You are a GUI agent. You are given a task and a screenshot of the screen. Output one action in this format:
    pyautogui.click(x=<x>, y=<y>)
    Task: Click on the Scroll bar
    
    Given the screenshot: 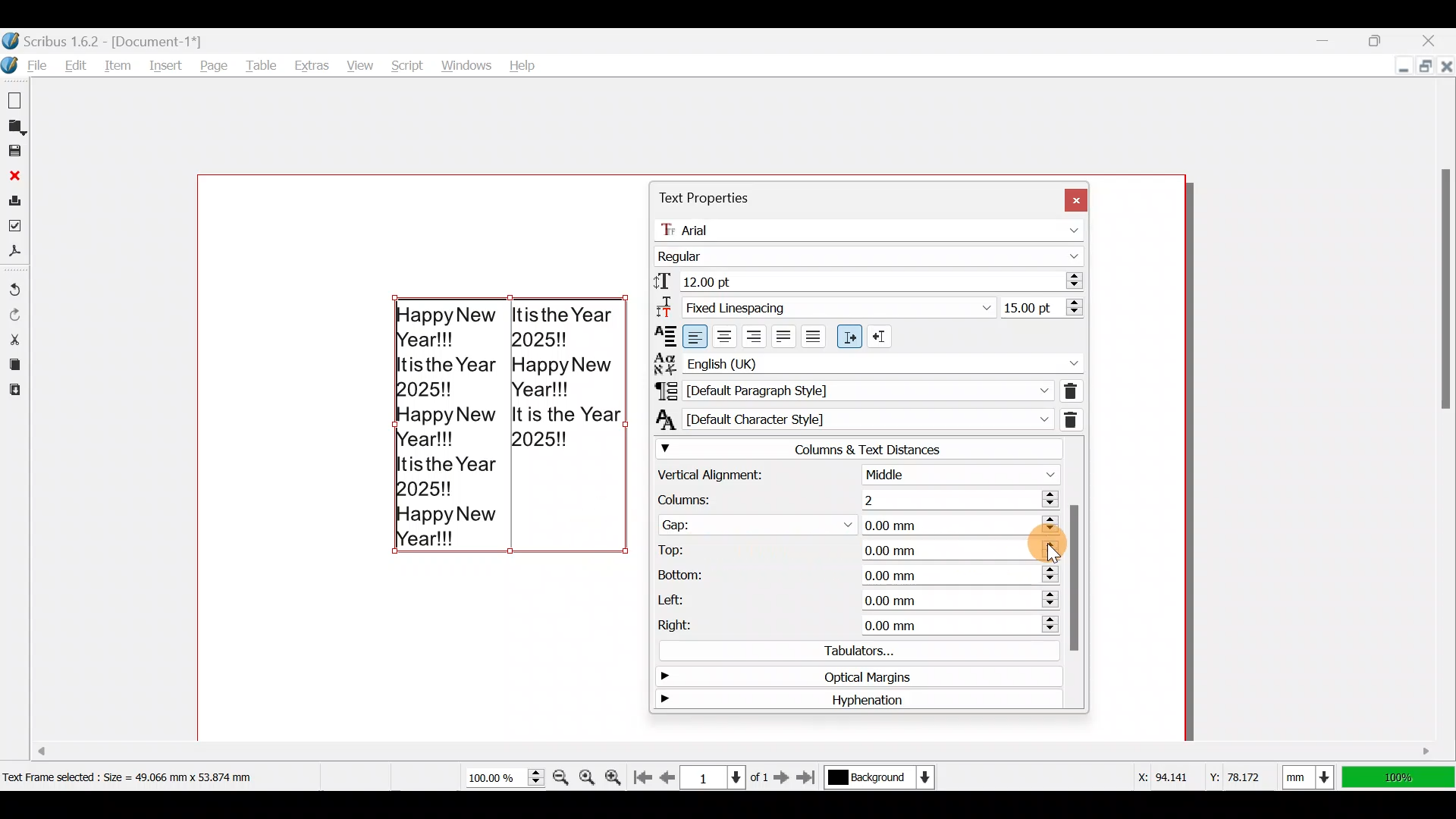 What is the action you would take?
    pyautogui.click(x=1075, y=573)
    